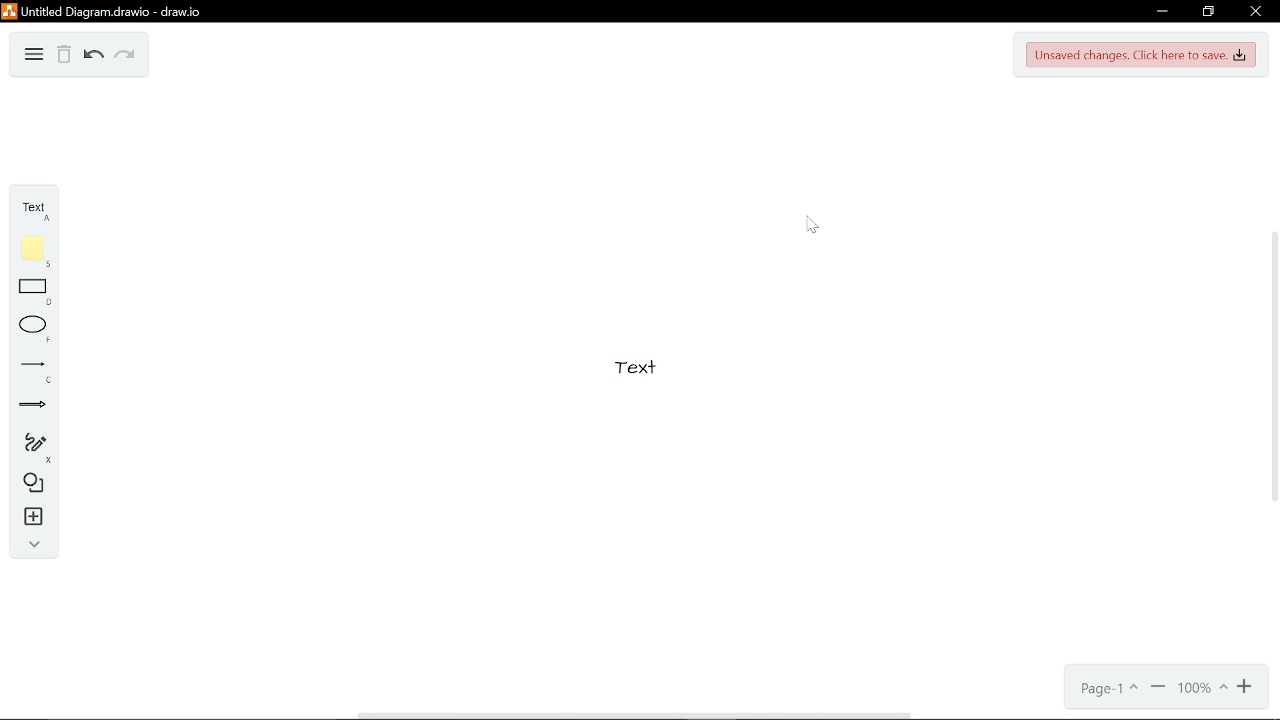  I want to click on Text, so click(29, 208).